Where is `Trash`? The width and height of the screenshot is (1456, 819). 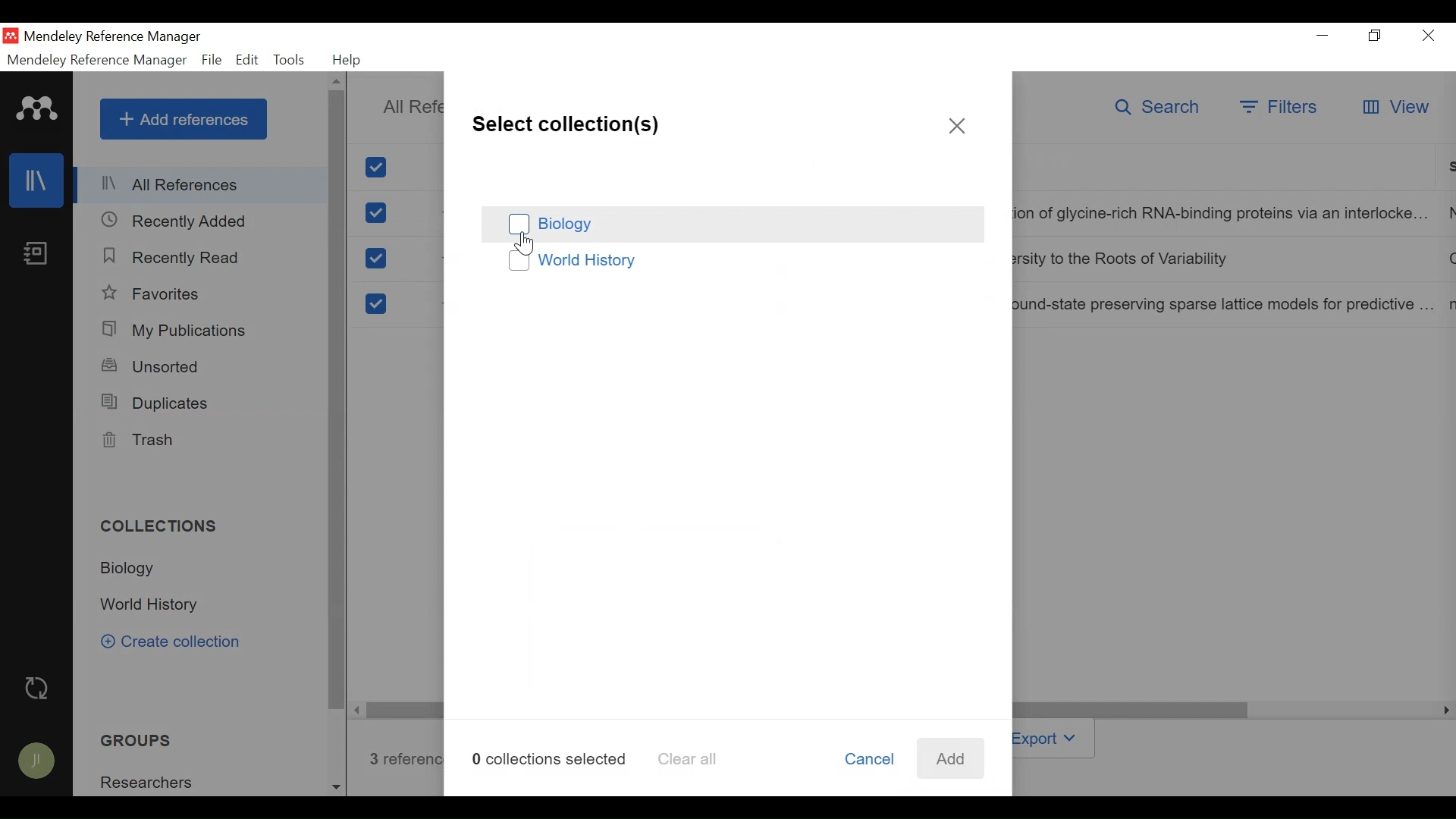 Trash is located at coordinates (139, 441).